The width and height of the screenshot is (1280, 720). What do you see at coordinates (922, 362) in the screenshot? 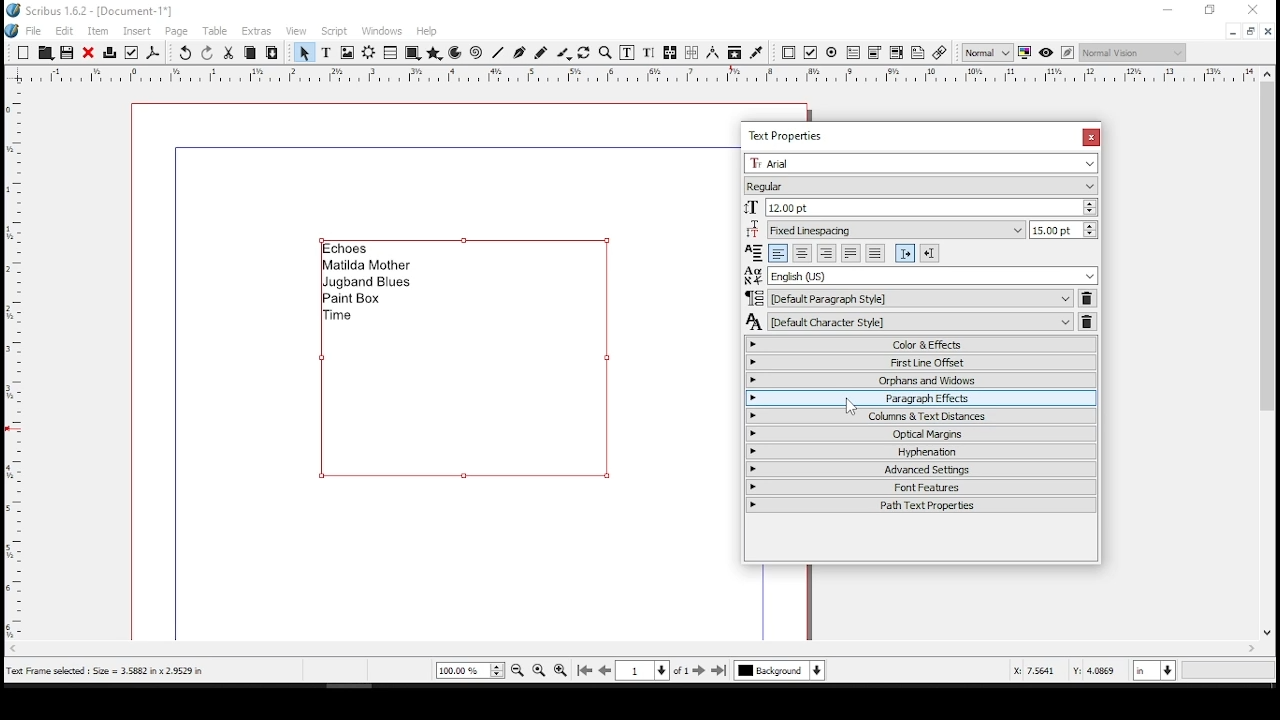
I see `first line offset` at bounding box center [922, 362].